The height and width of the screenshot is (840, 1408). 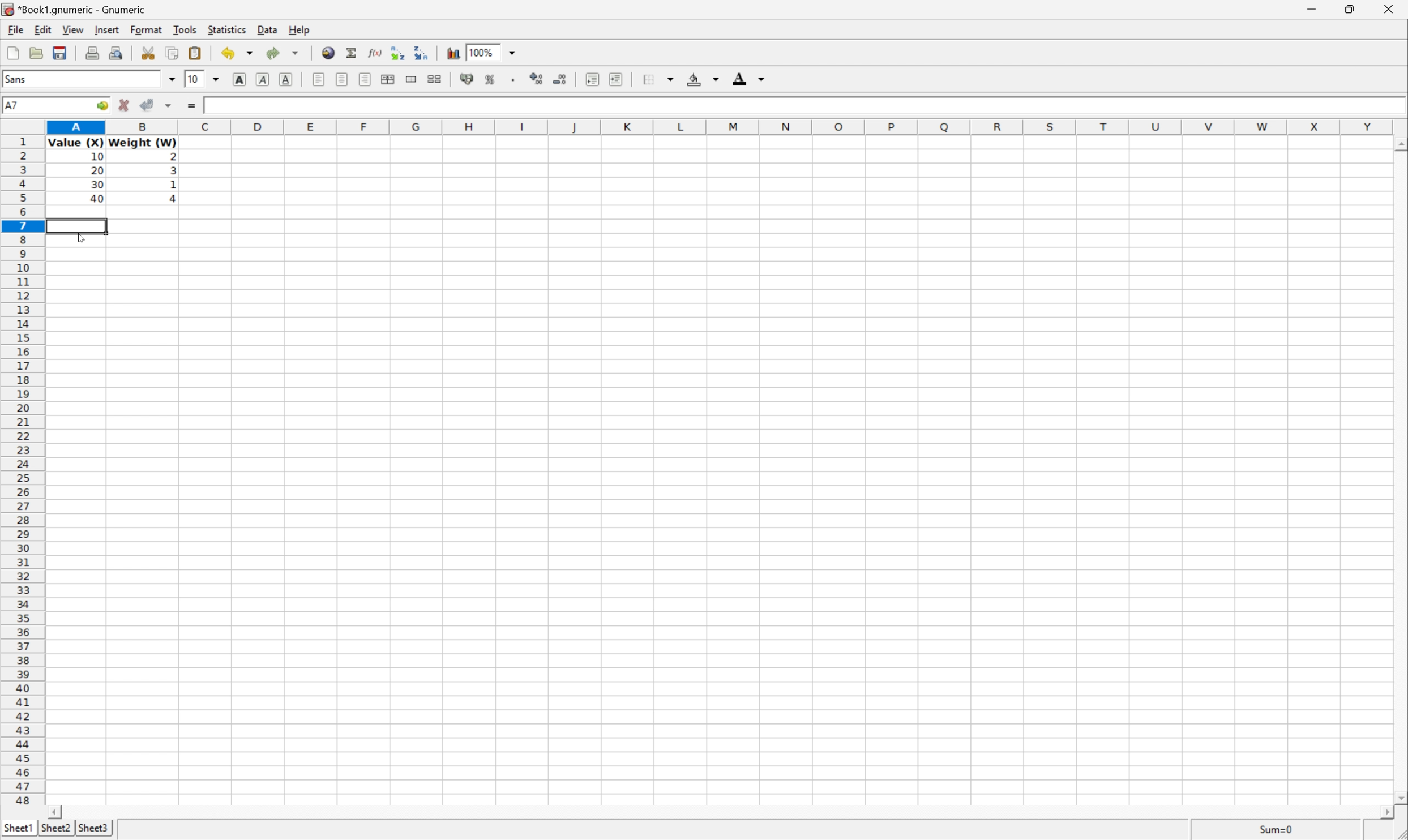 I want to click on Print preview, so click(x=115, y=54).